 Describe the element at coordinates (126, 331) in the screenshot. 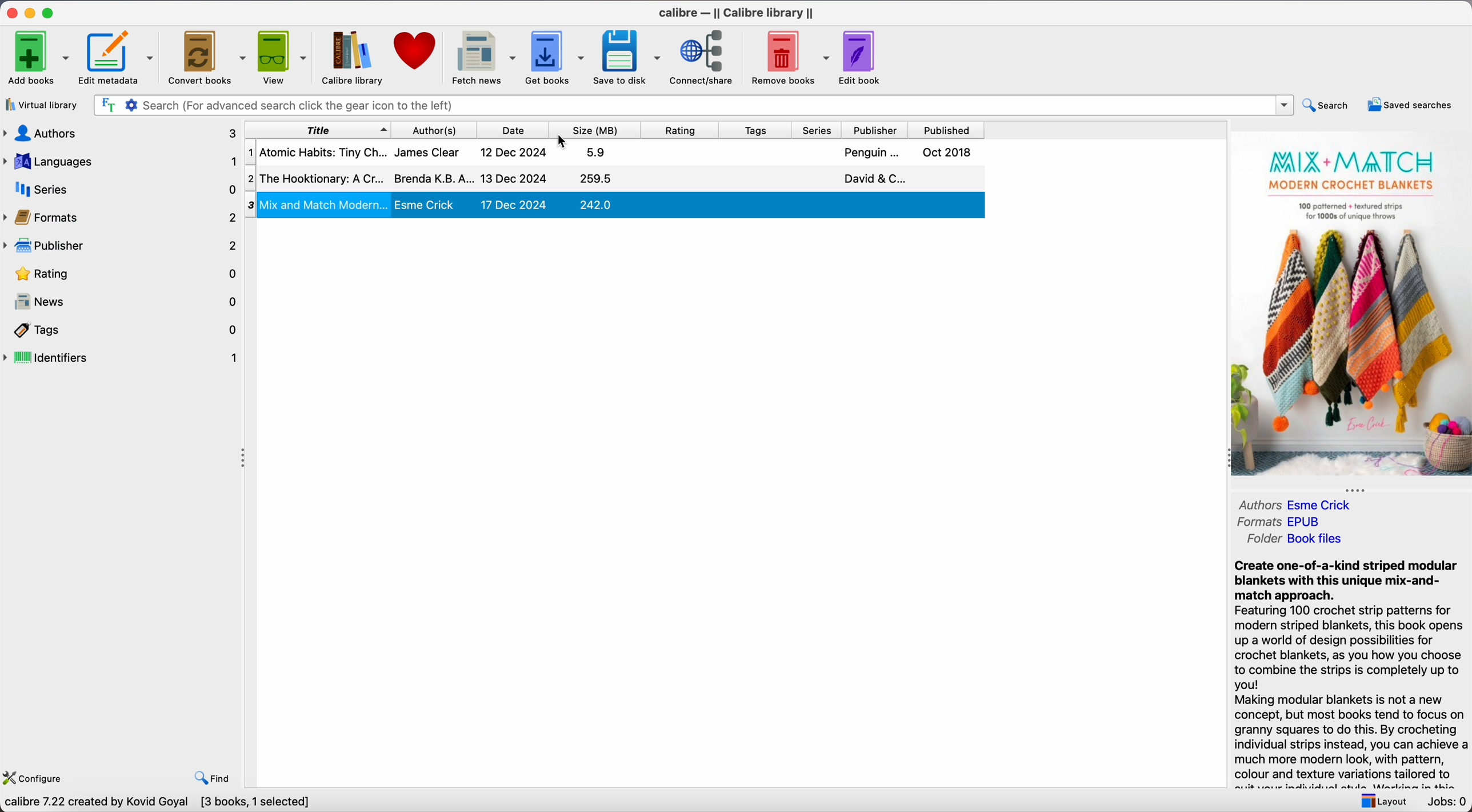

I see `tags` at that location.